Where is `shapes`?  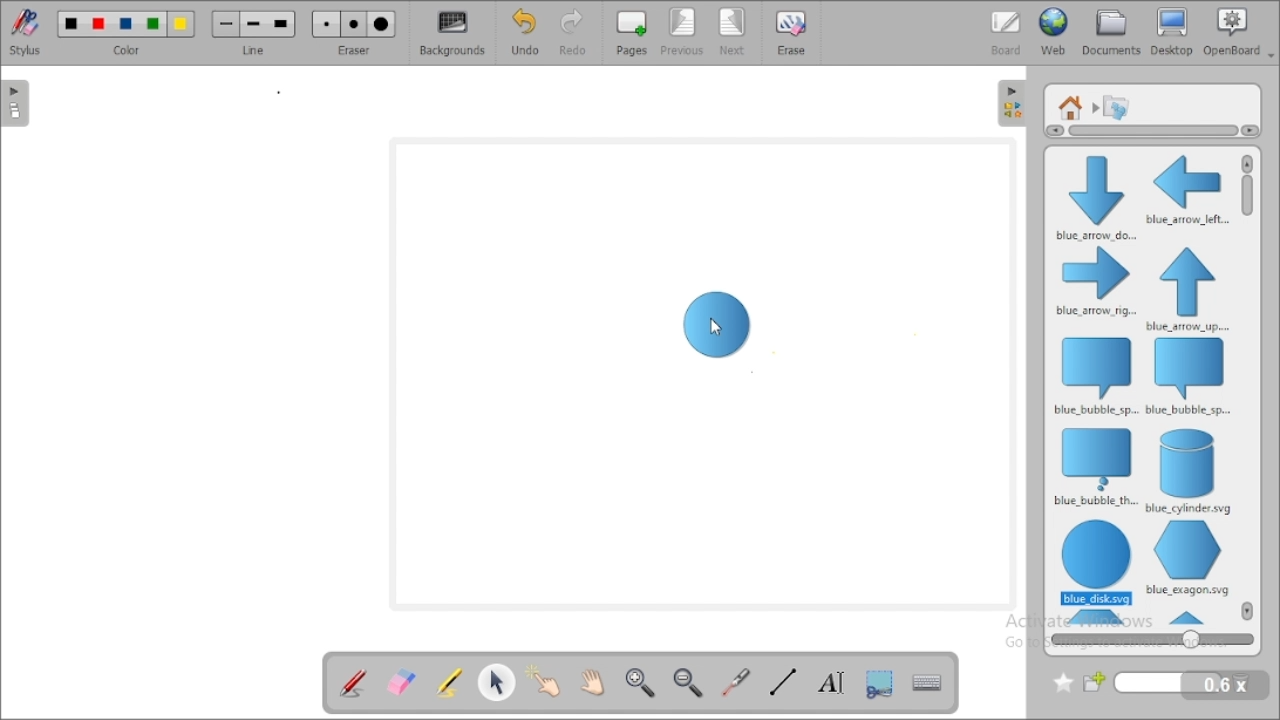 shapes is located at coordinates (1116, 106).